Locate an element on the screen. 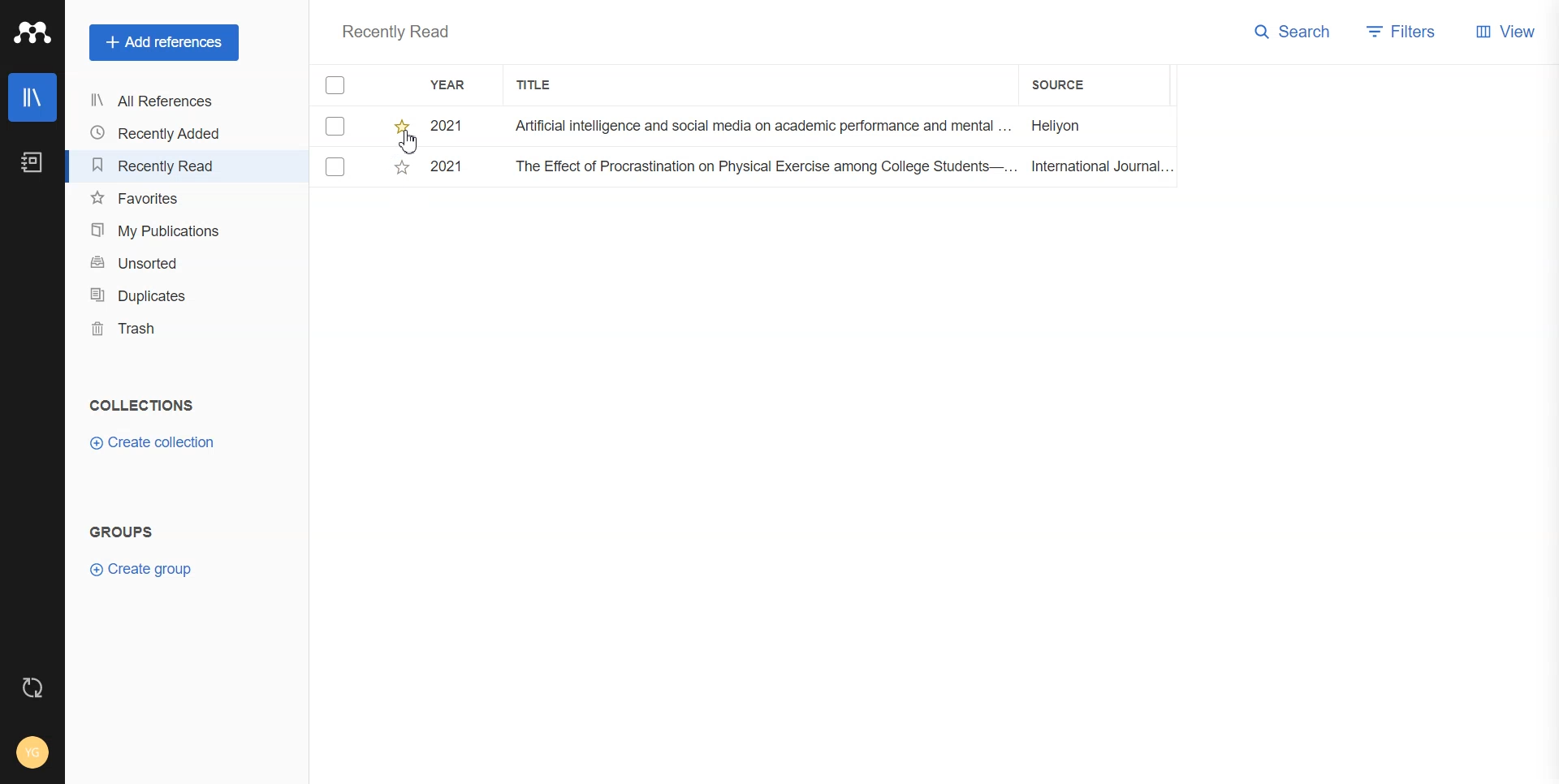 The width and height of the screenshot is (1559, 784). Year is located at coordinates (457, 84).